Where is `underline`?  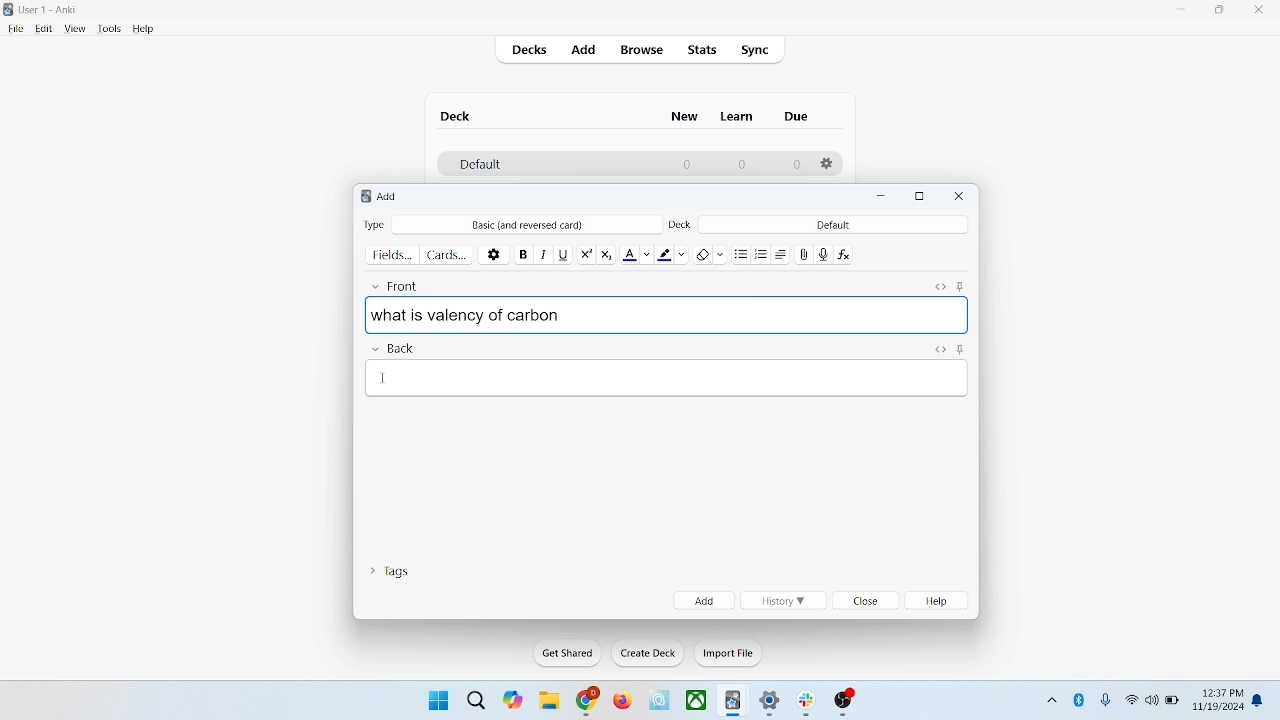
underline is located at coordinates (563, 253).